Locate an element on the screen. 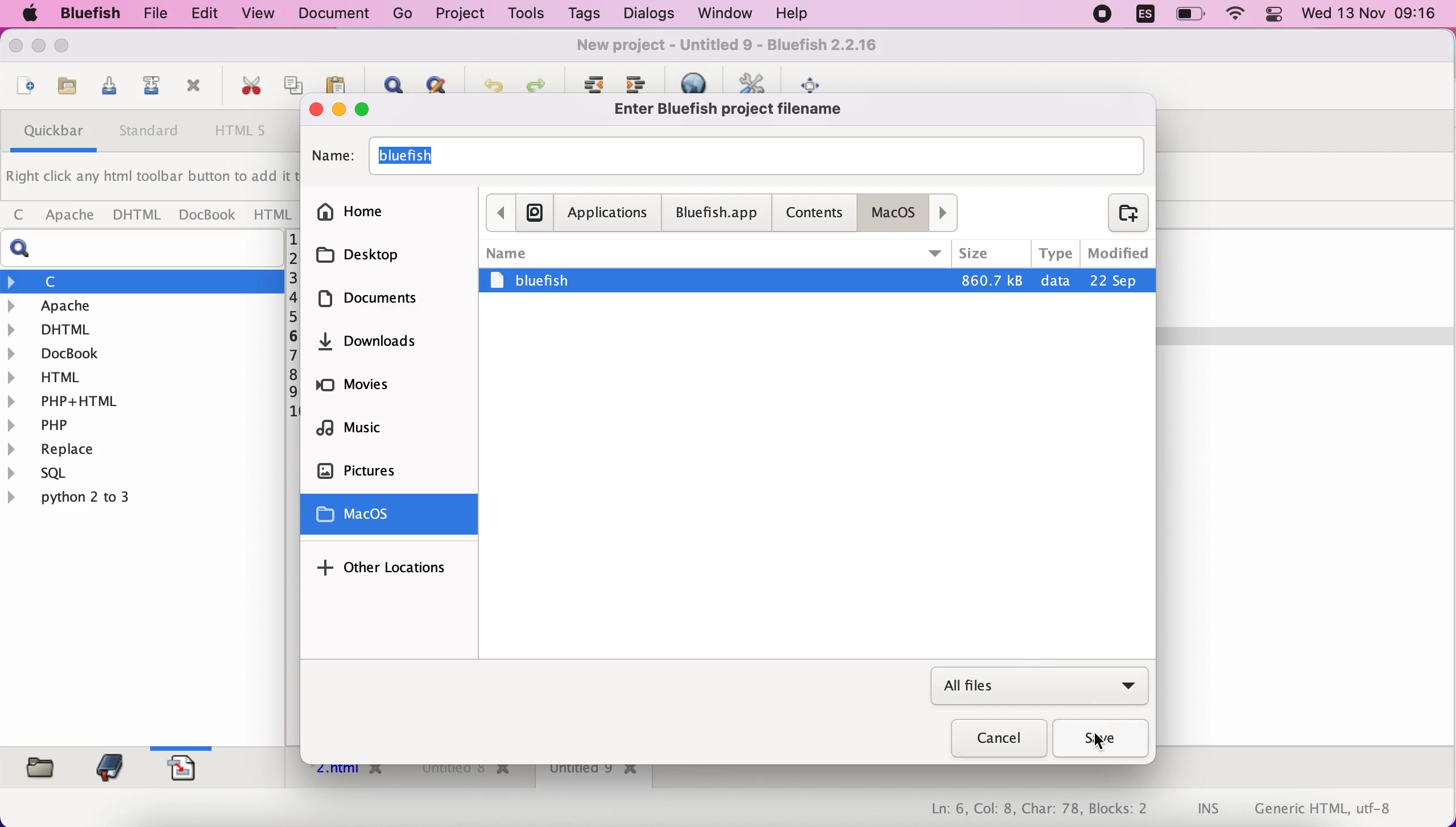 This screenshot has height=827, width=1456. redo is located at coordinates (535, 82).